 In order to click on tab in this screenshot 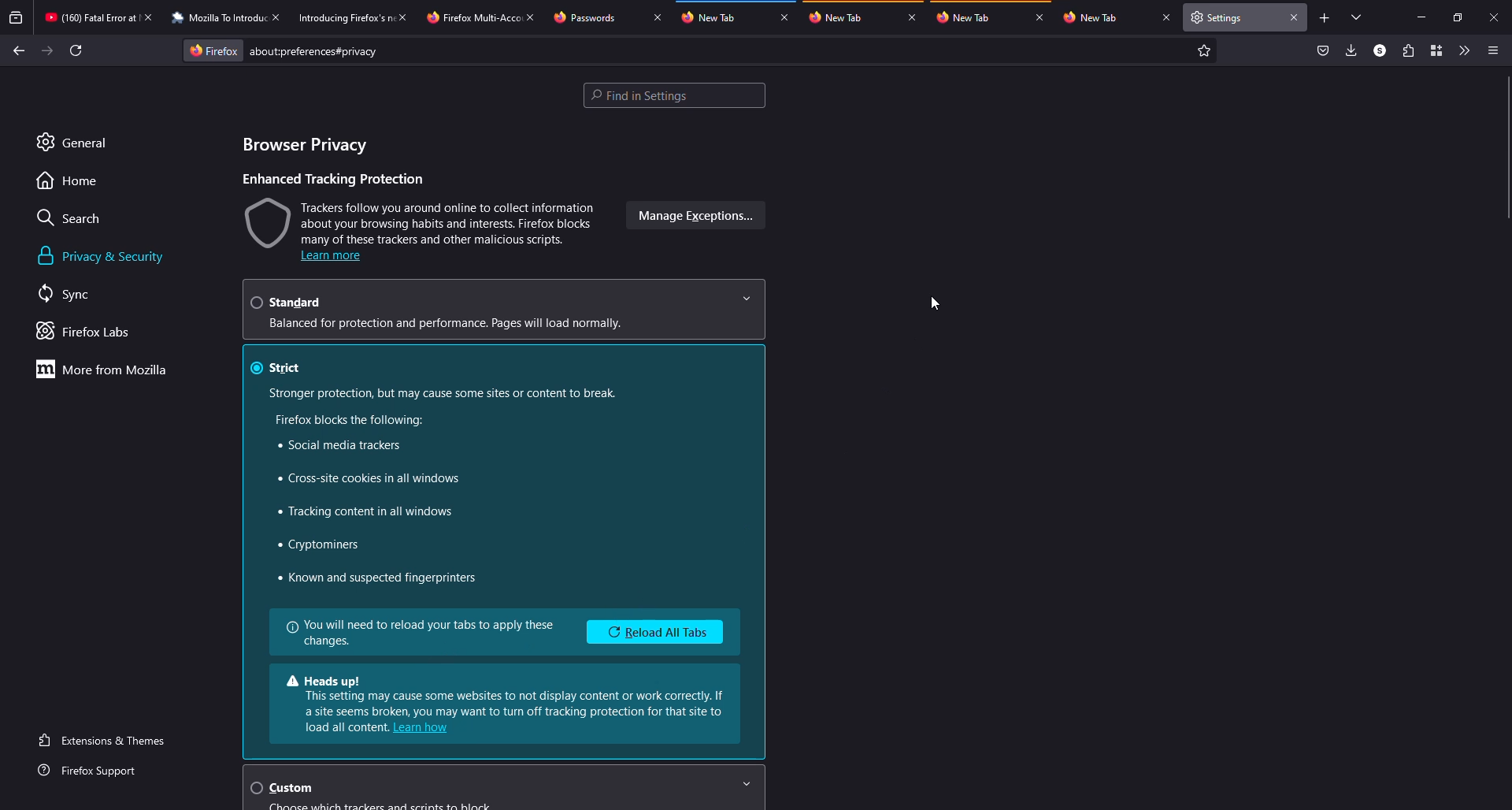, I will do `click(473, 18)`.